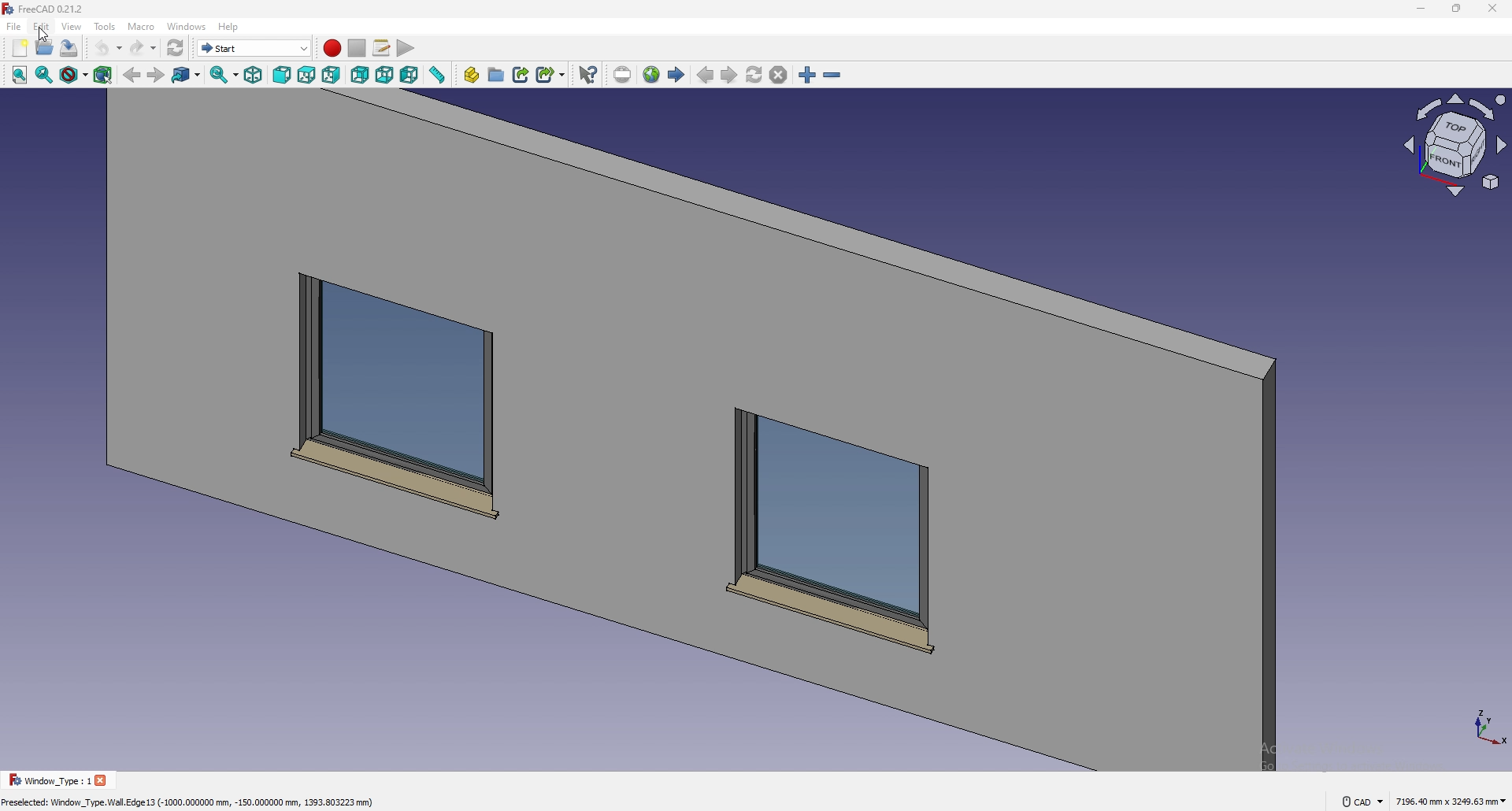 Image resolution: width=1512 pixels, height=811 pixels. I want to click on Window _Type : 1, so click(47, 780).